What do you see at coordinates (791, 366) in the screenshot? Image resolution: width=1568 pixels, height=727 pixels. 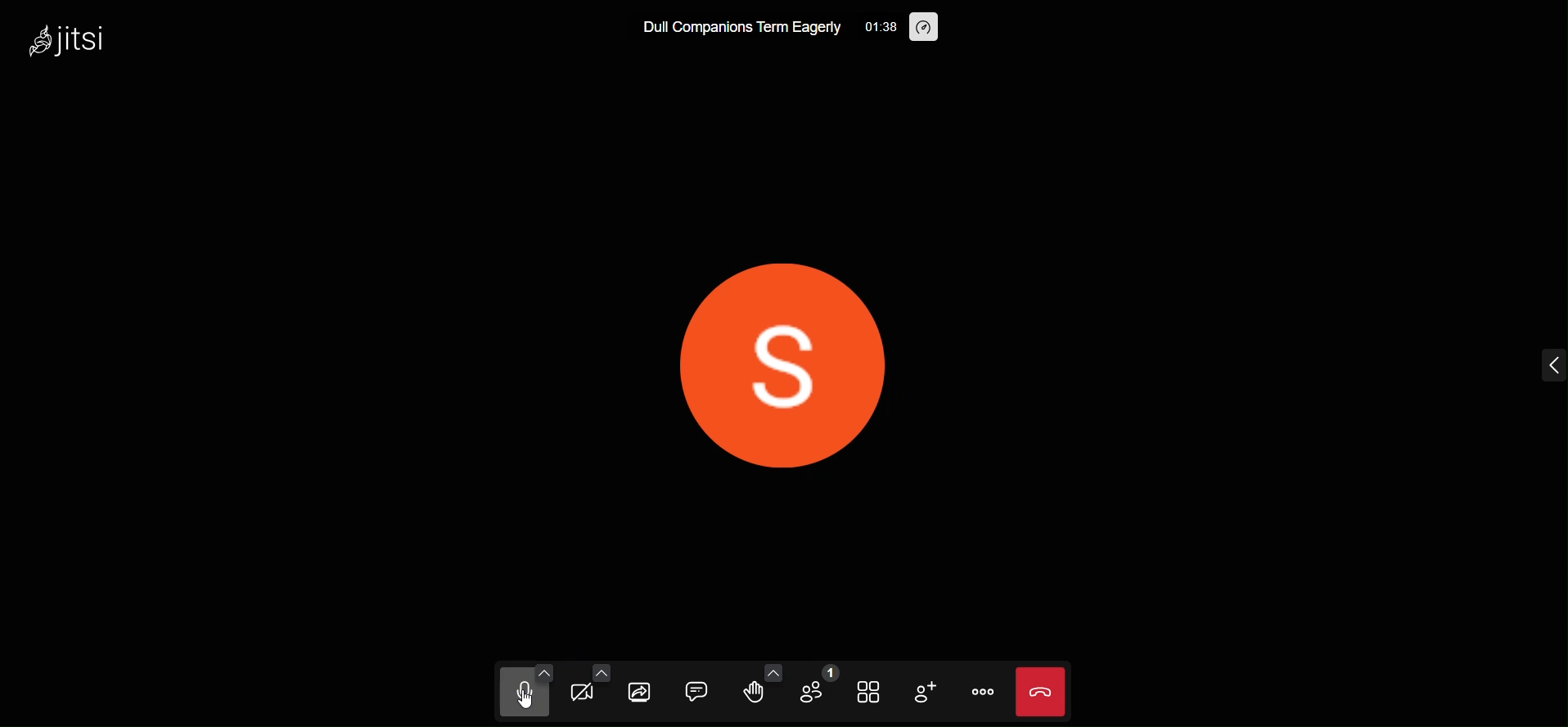 I see `display picture` at bounding box center [791, 366].